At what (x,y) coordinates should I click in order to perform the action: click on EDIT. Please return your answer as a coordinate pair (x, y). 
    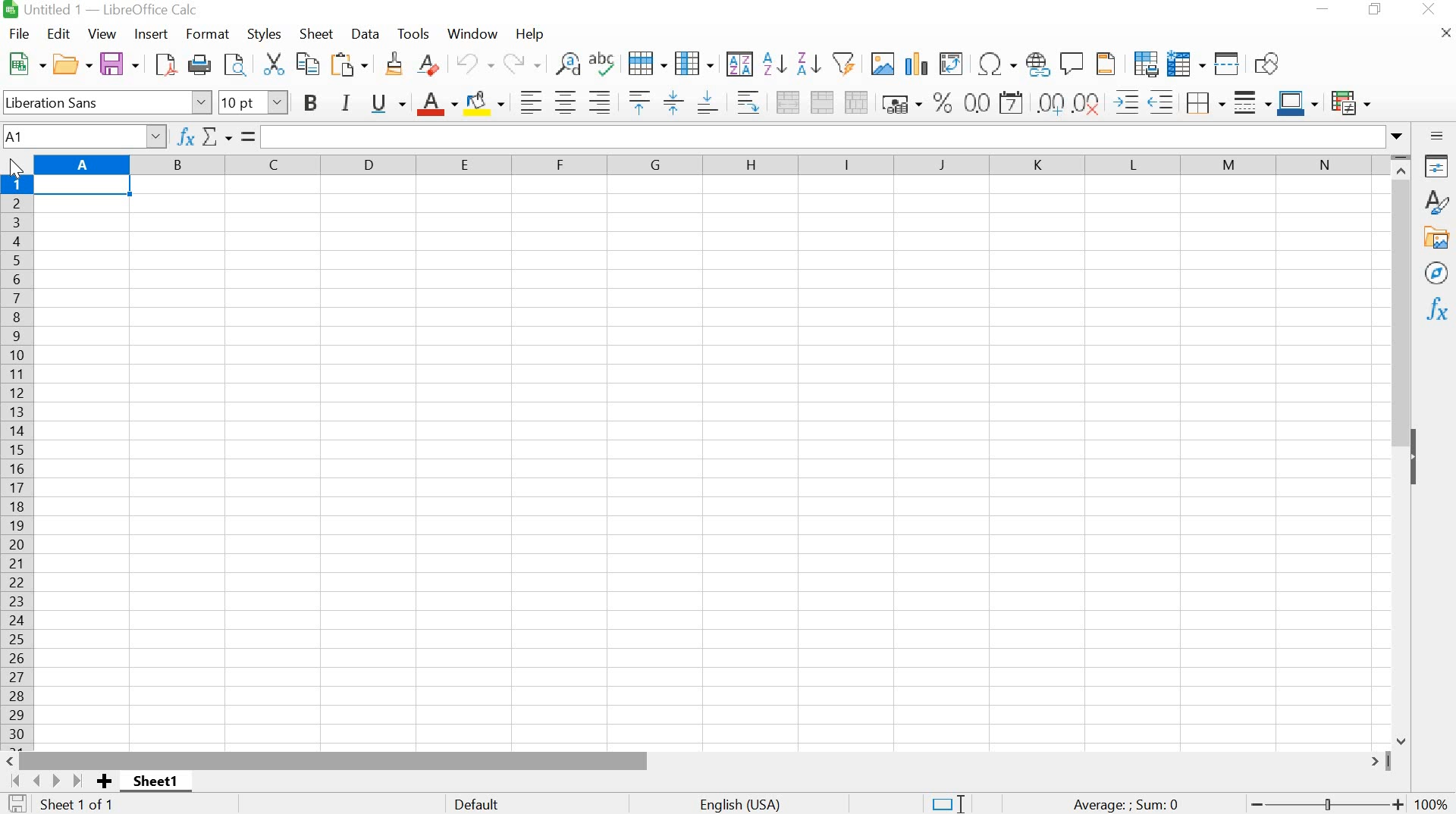
    Looking at the image, I should click on (61, 33).